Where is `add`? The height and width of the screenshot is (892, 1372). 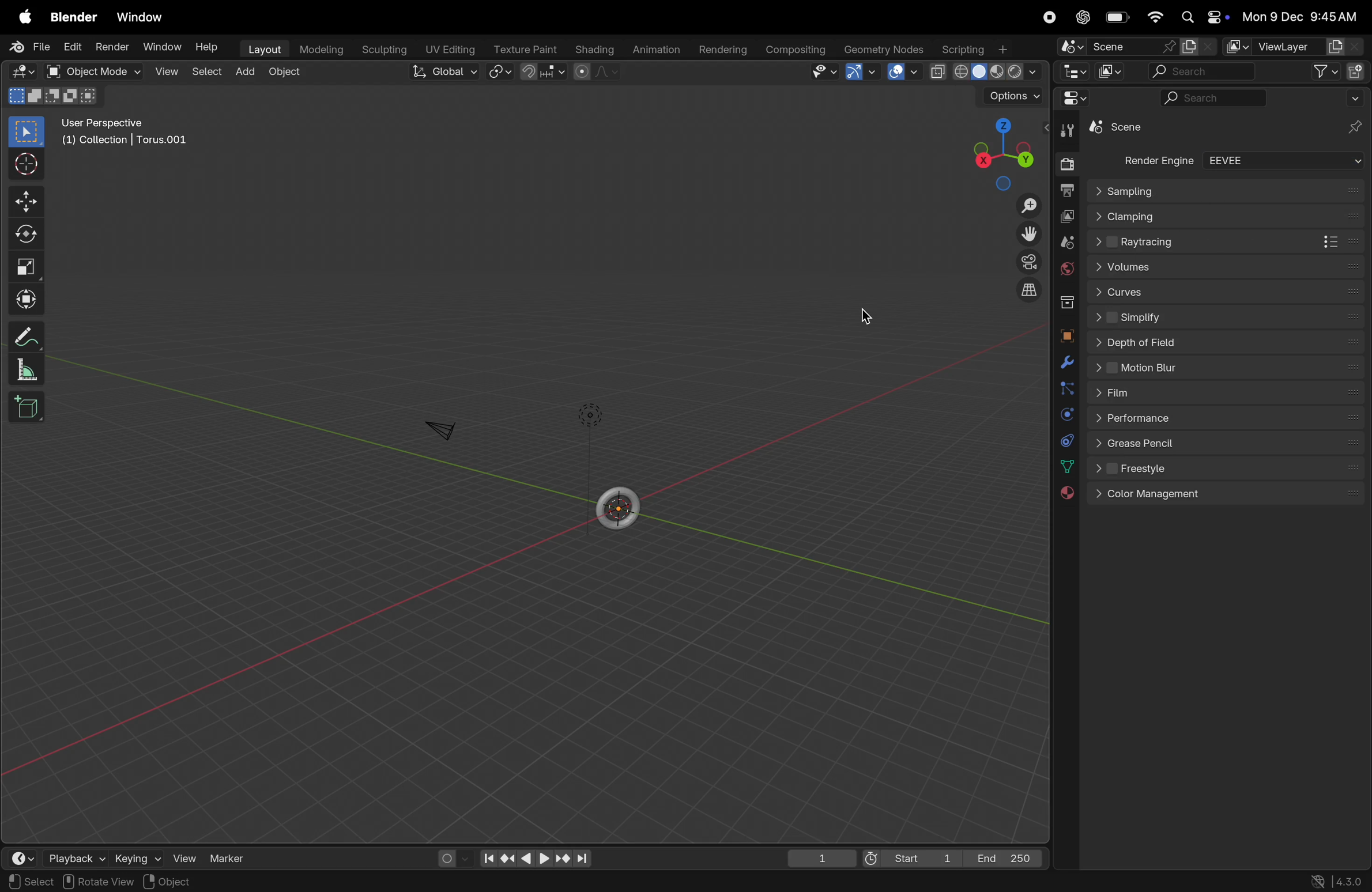
add is located at coordinates (244, 71).